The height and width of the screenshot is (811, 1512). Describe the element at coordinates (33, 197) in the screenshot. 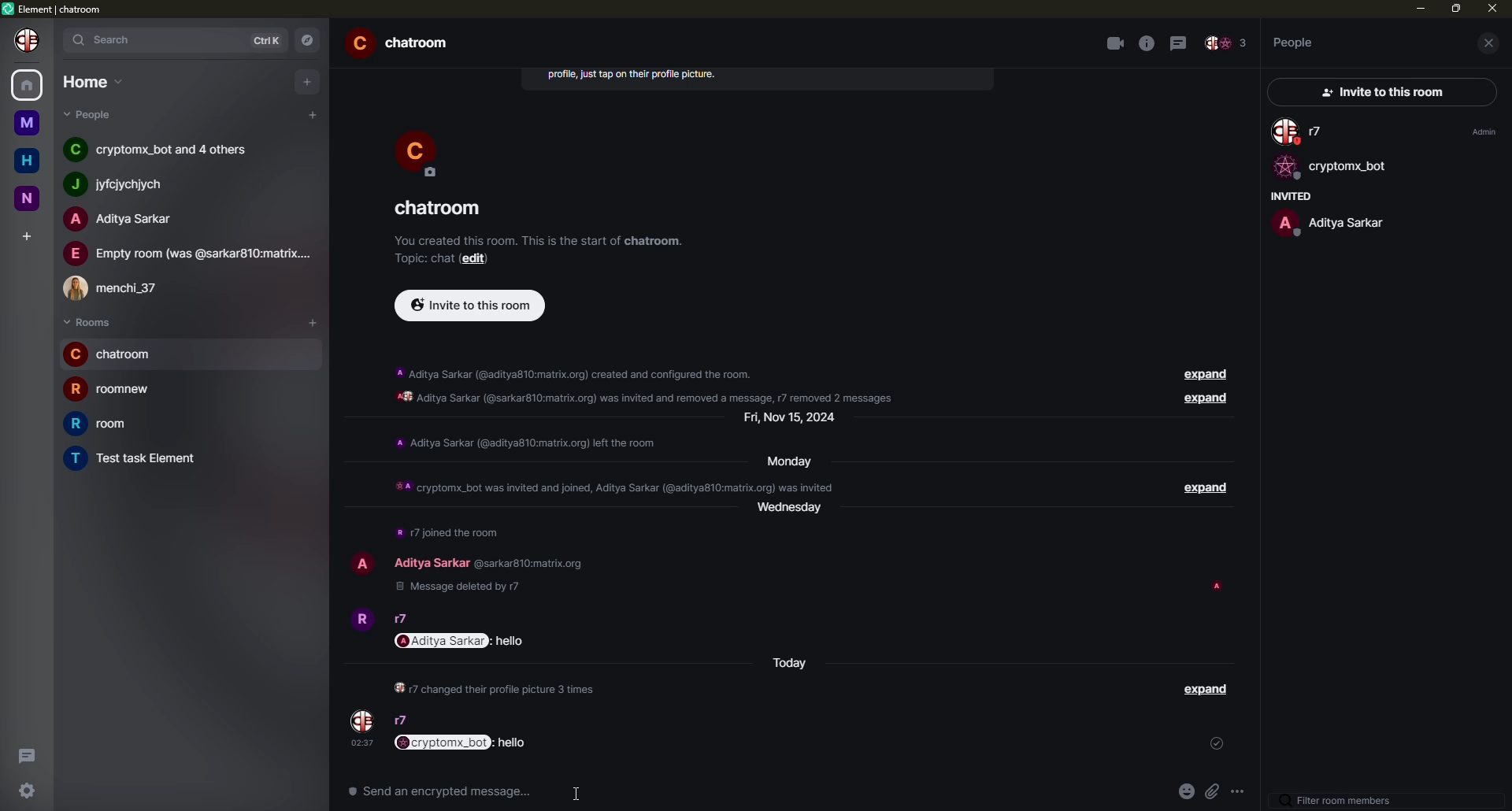

I see `n` at that location.